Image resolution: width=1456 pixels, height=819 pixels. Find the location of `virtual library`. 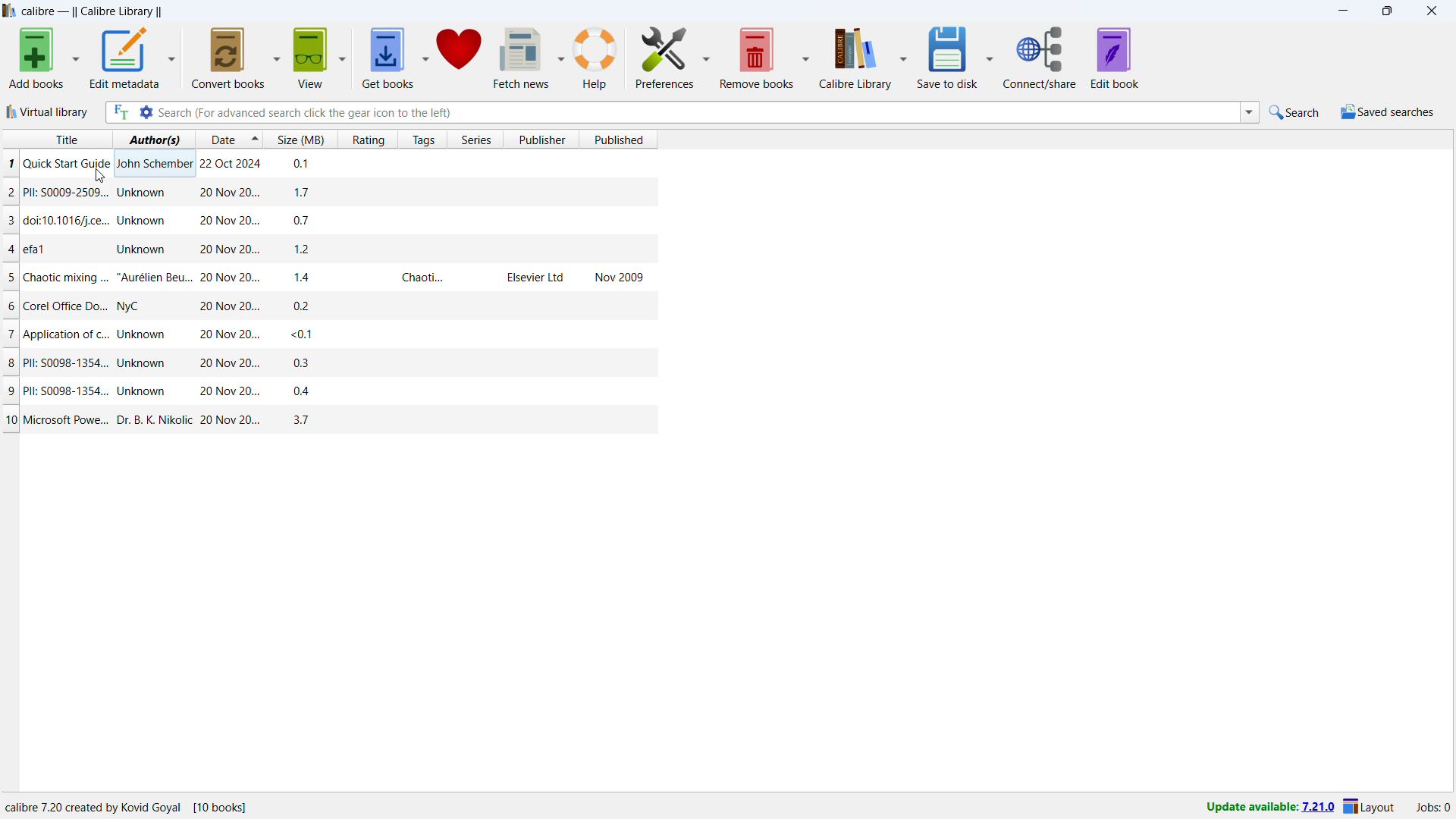

virtual library is located at coordinates (48, 112).